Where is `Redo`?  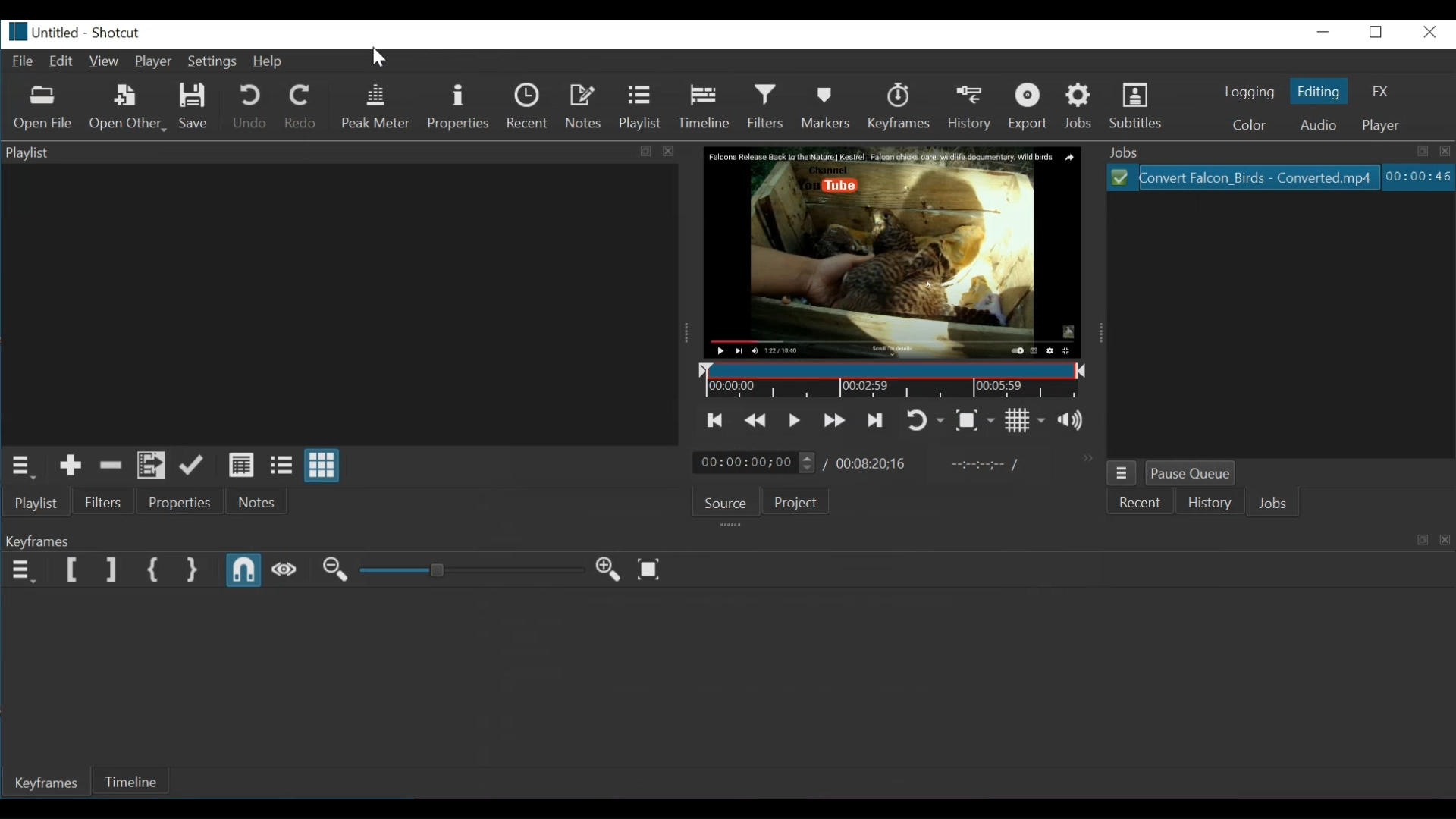 Redo is located at coordinates (302, 108).